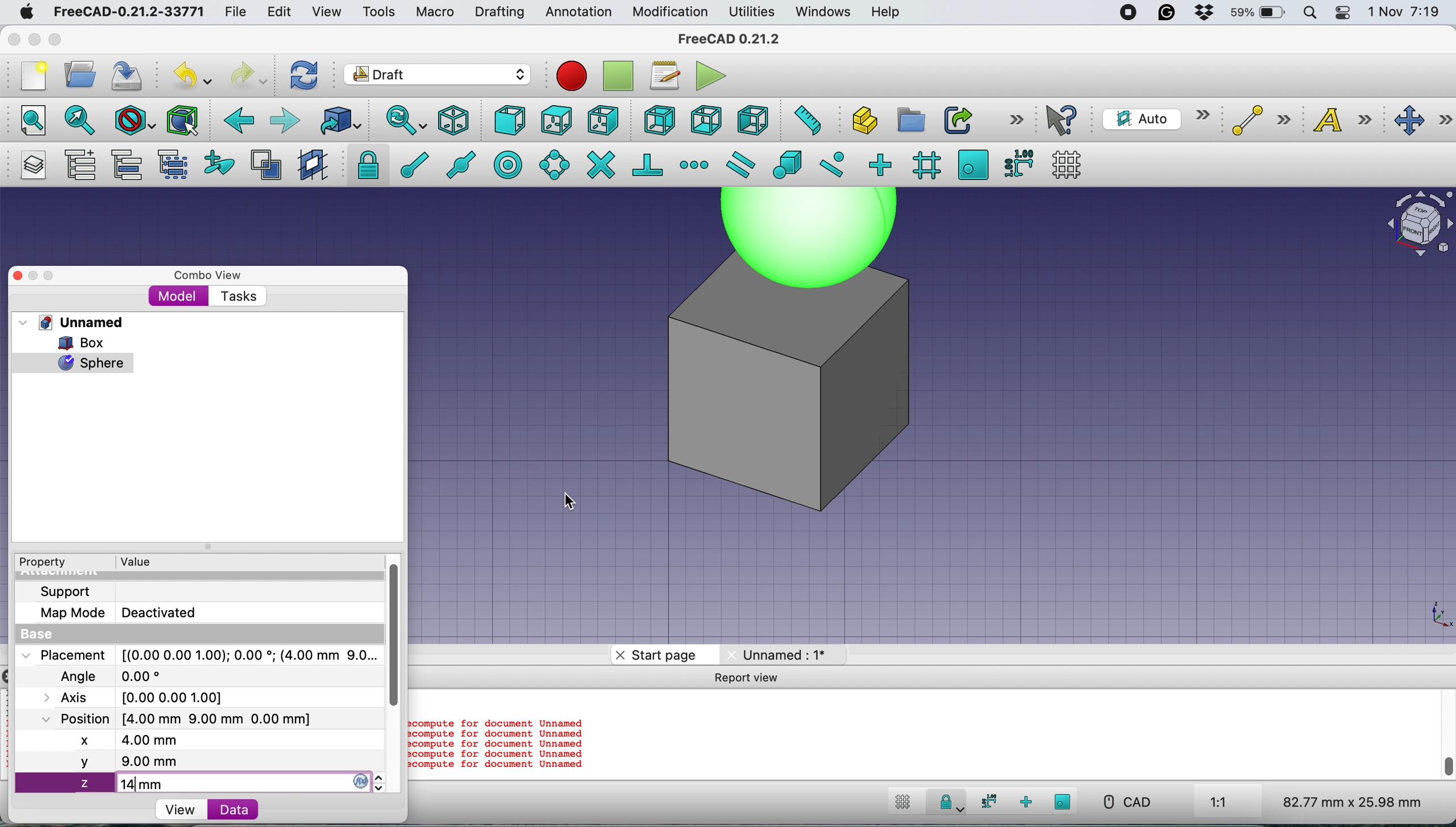 This screenshot has width=1456, height=827. Describe the element at coordinates (1067, 165) in the screenshot. I see `toggle grid` at that location.